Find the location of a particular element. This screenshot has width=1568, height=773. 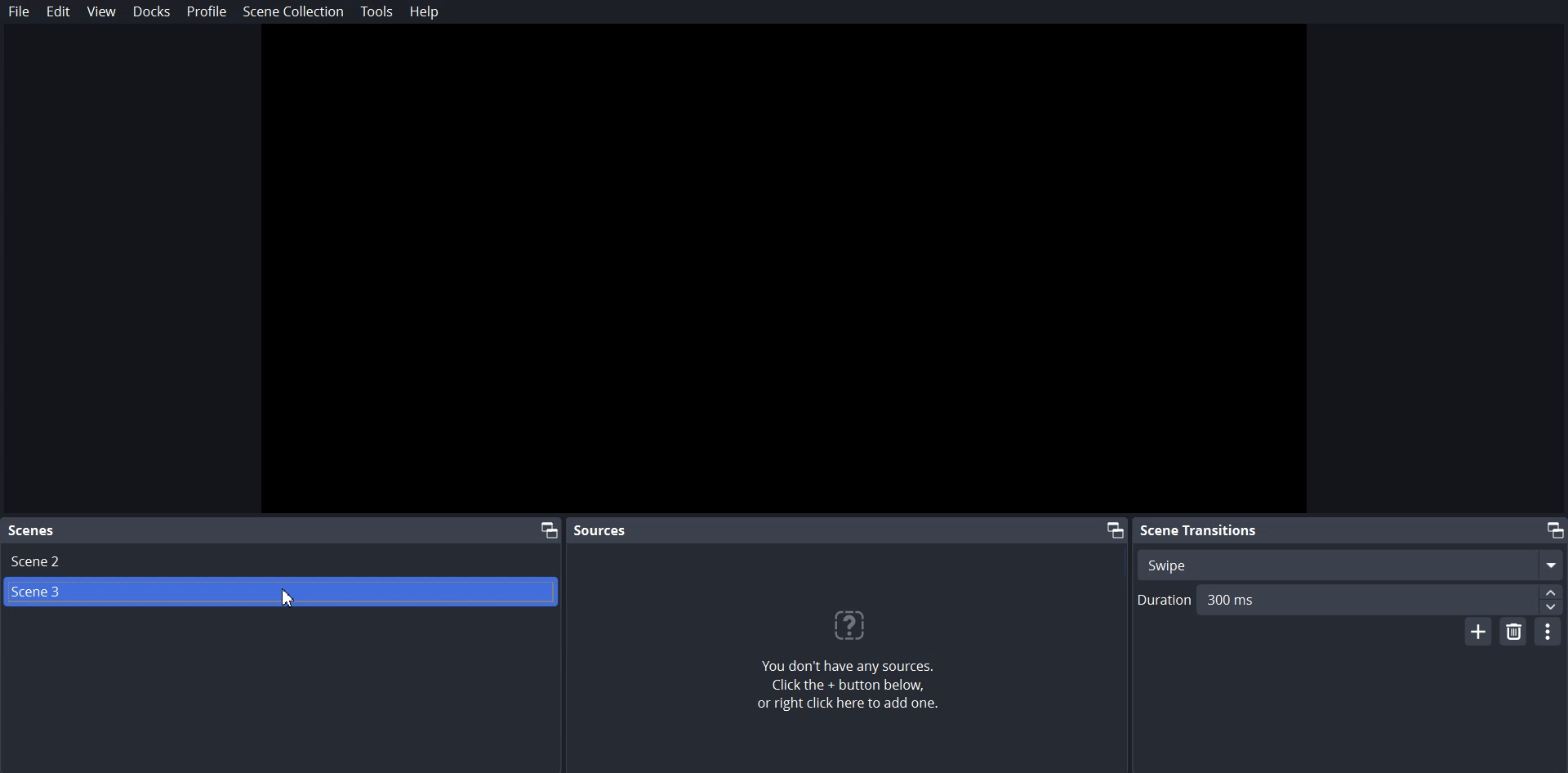

Remove Scene Transition is located at coordinates (1515, 633).